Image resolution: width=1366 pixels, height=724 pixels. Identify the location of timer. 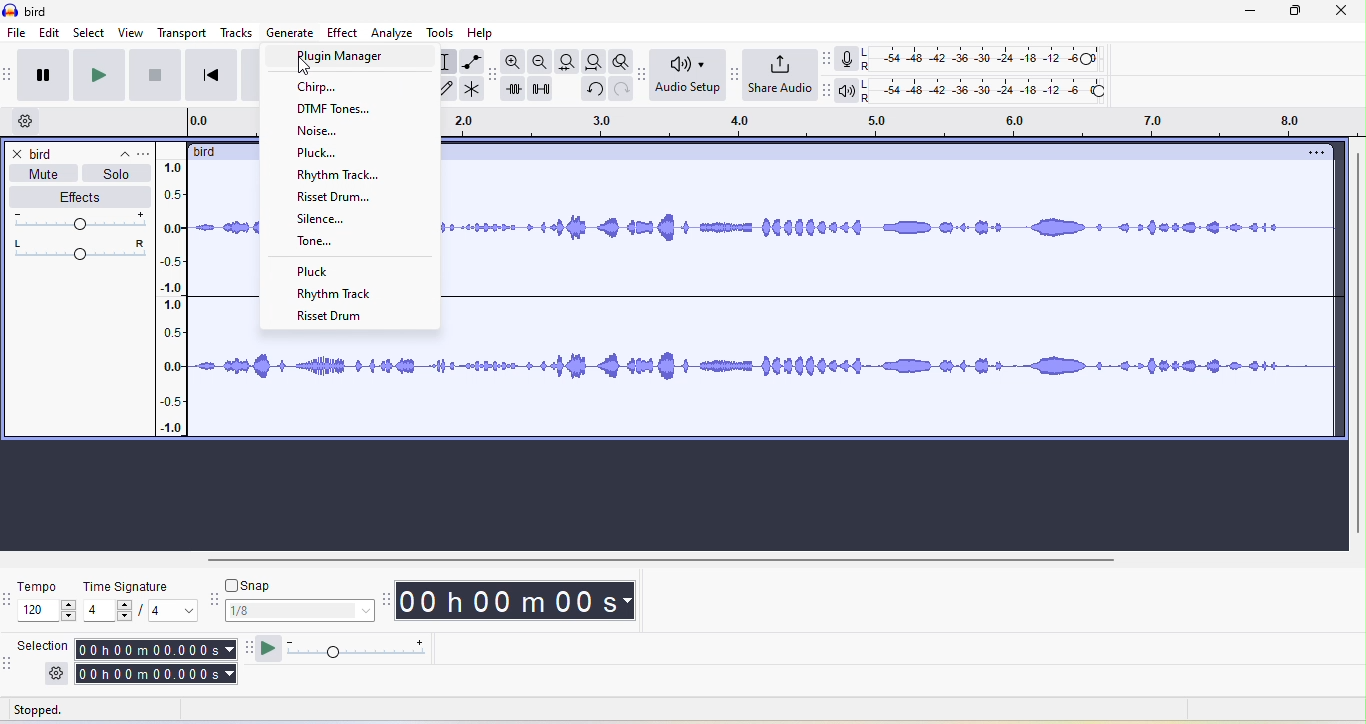
(519, 603).